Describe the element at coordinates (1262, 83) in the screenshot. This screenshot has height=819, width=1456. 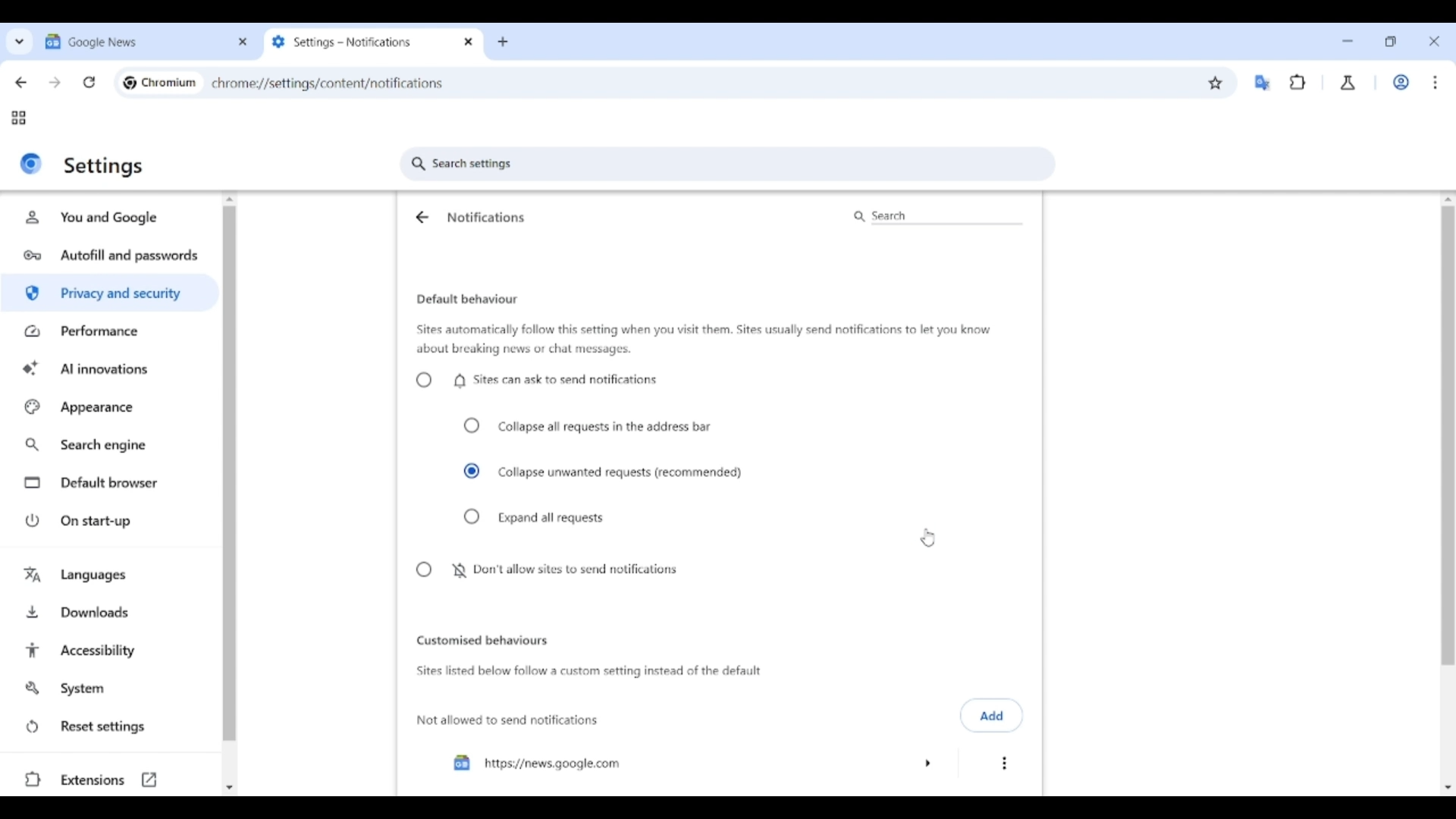
I see `Google translator extension` at that location.